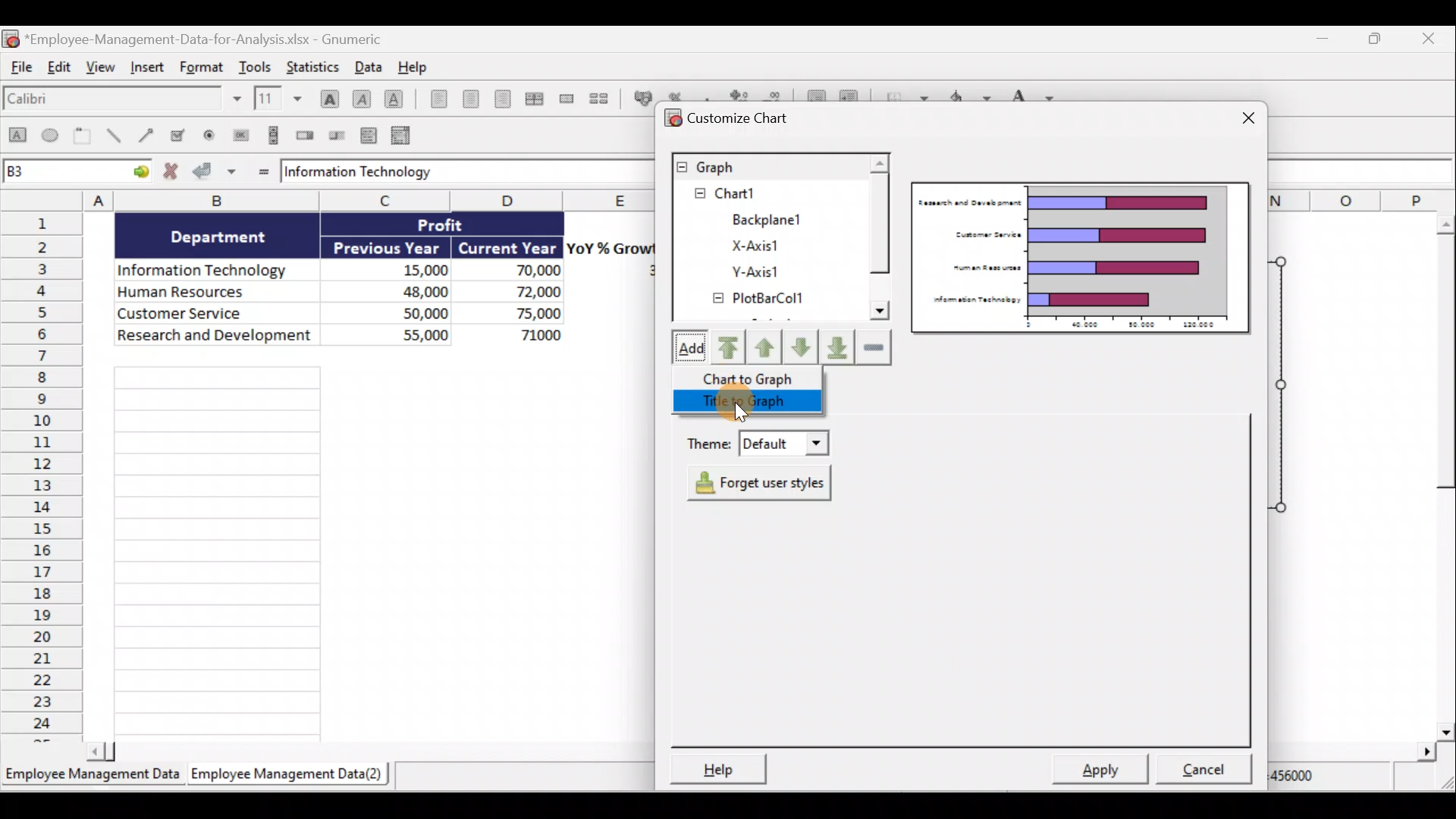  I want to click on Create a radio button, so click(212, 134).